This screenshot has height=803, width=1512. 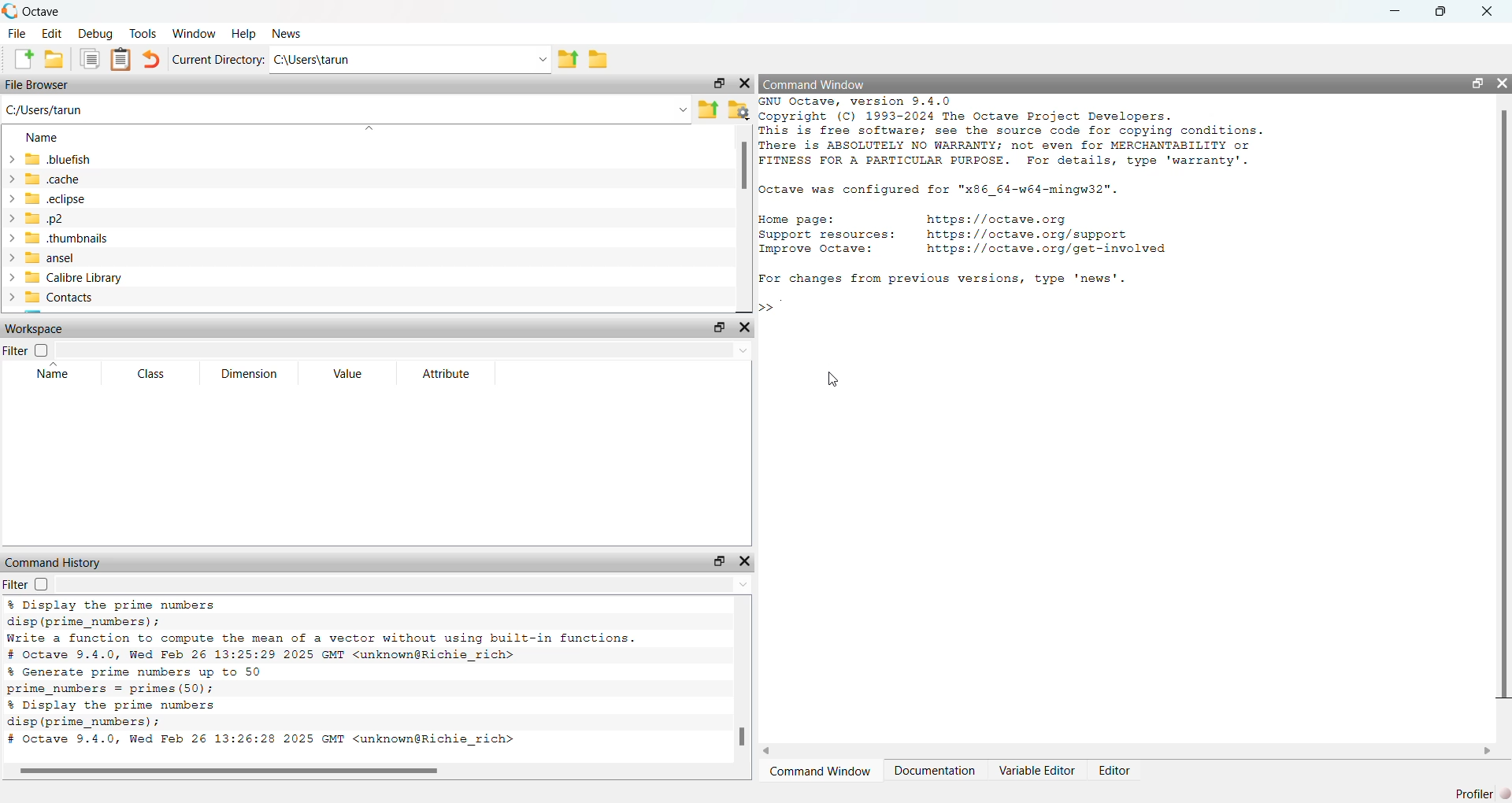 I want to click on scroll bar, so click(x=742, y=736).